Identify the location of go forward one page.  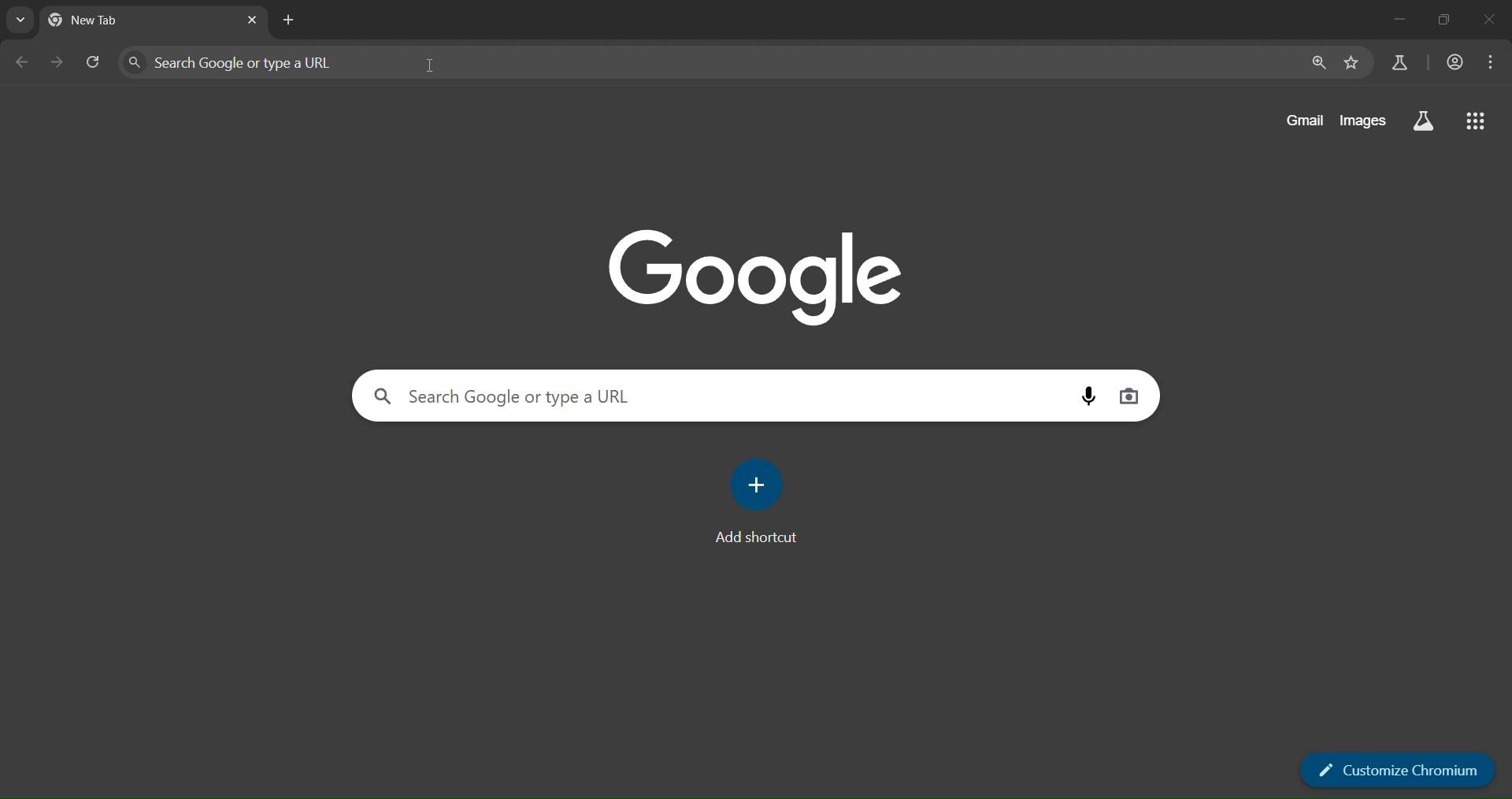
(57, 62).